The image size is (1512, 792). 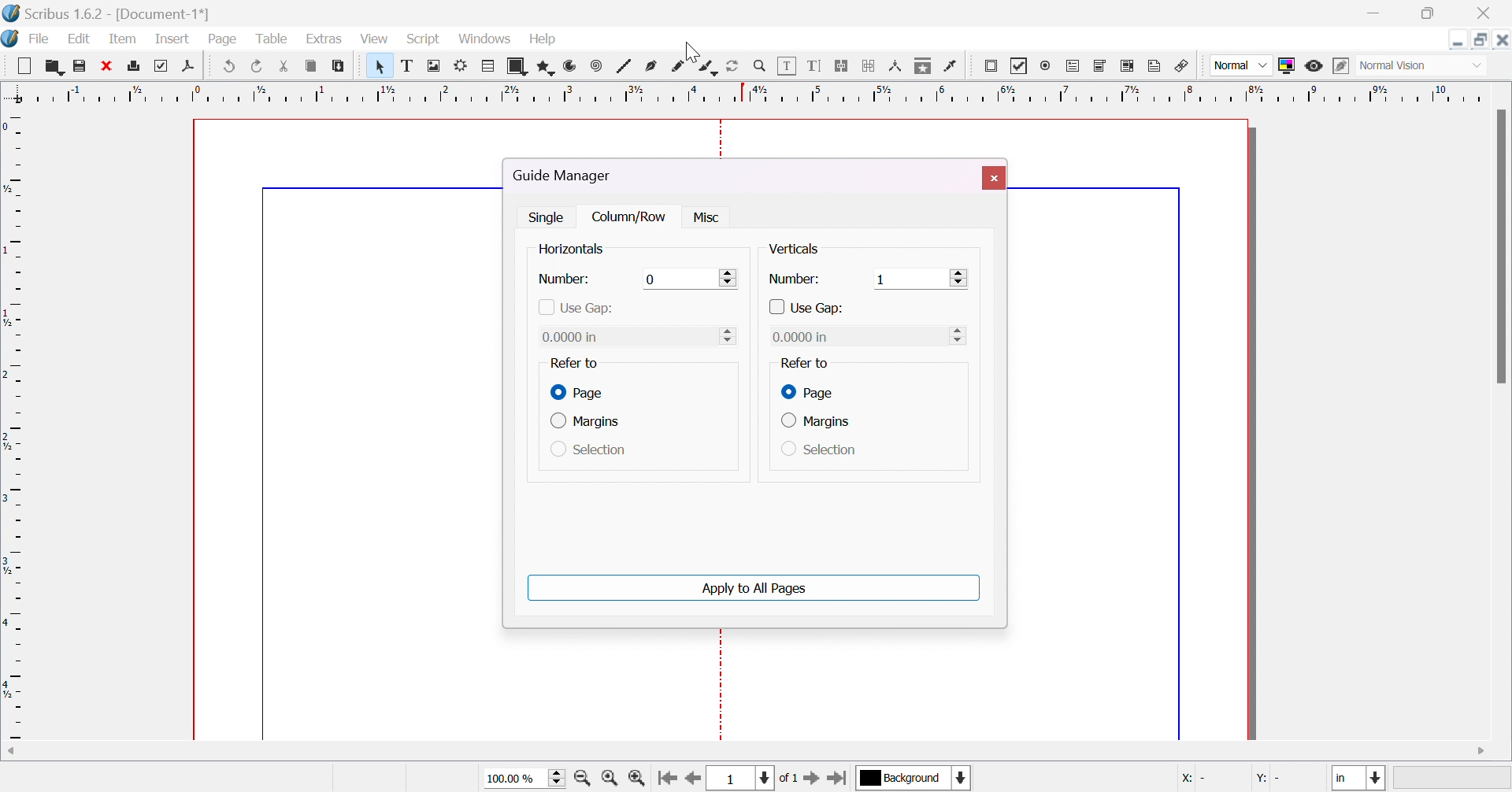 I want to click on PDF combo box, so click(x=1100, y=67).